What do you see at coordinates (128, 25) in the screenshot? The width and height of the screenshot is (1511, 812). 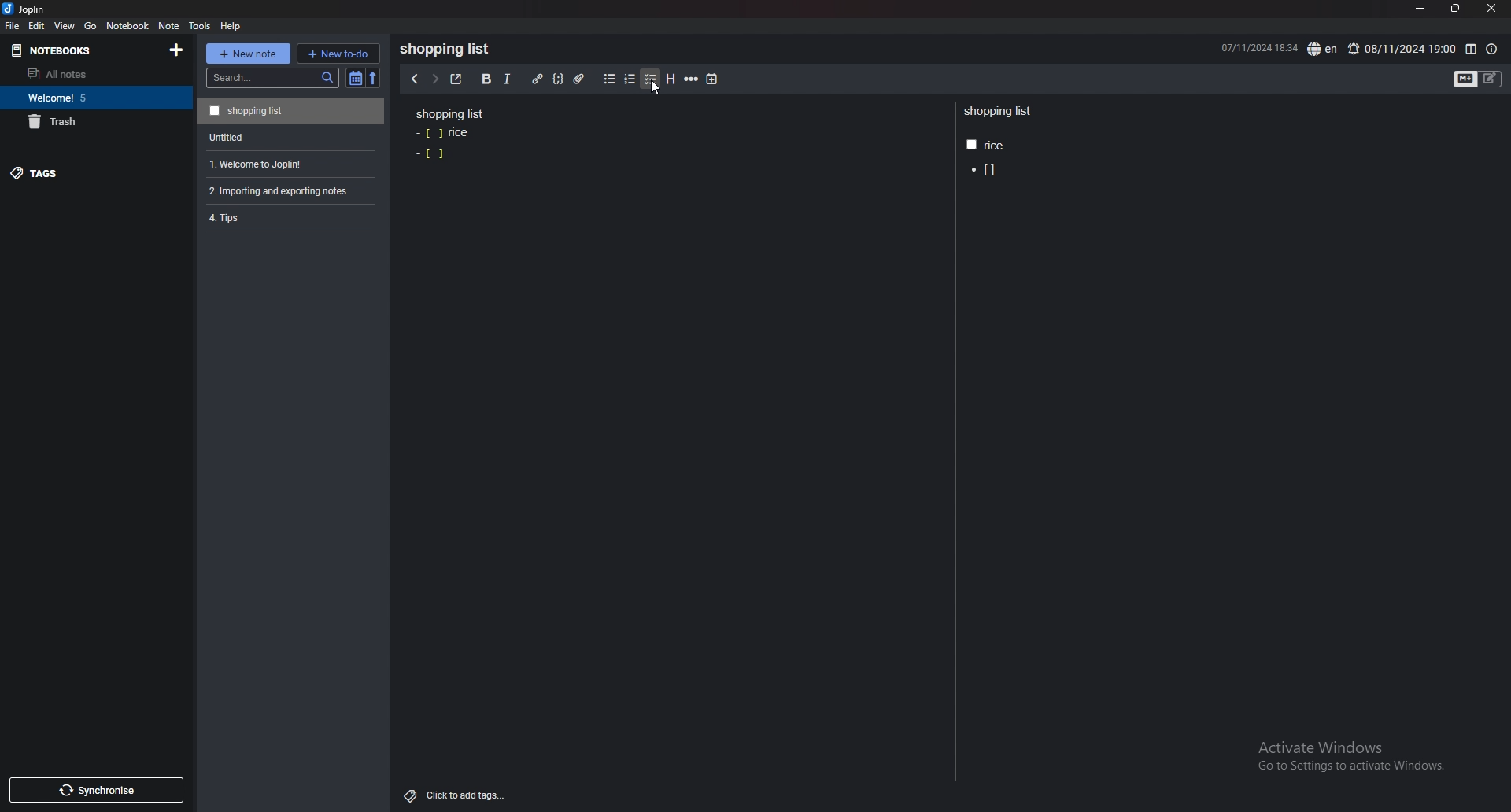 I see `notebook` at bounding box center [128, 25].